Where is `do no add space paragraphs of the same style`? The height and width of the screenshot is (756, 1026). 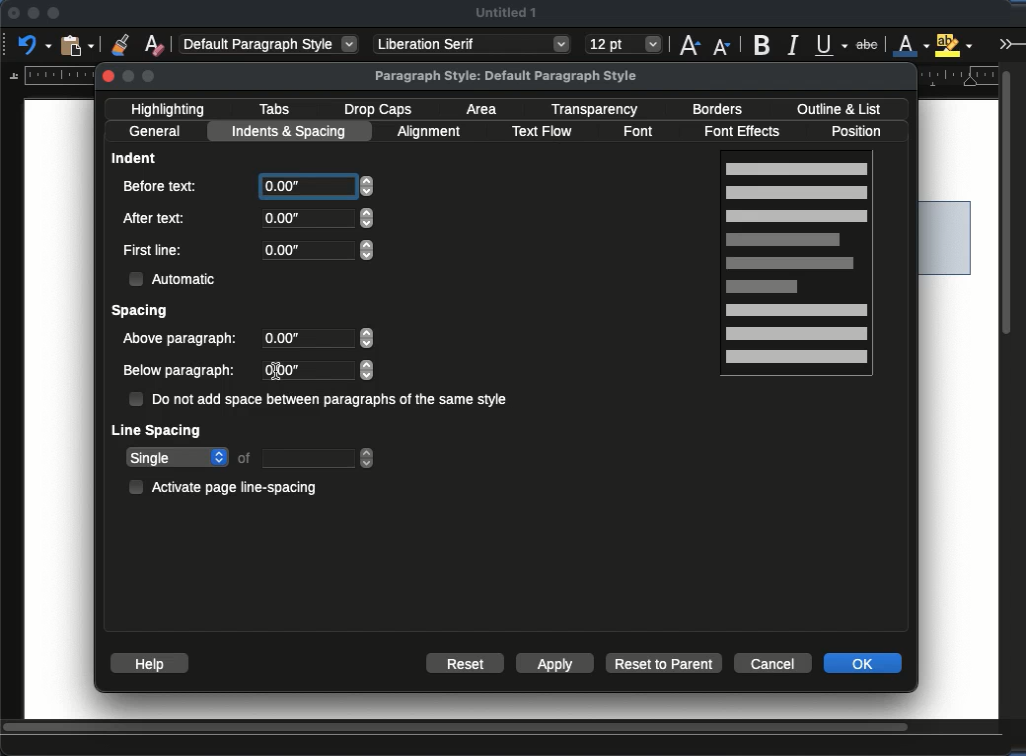
do no add space paragraphs of the same style is located at coordinates (319, 400).